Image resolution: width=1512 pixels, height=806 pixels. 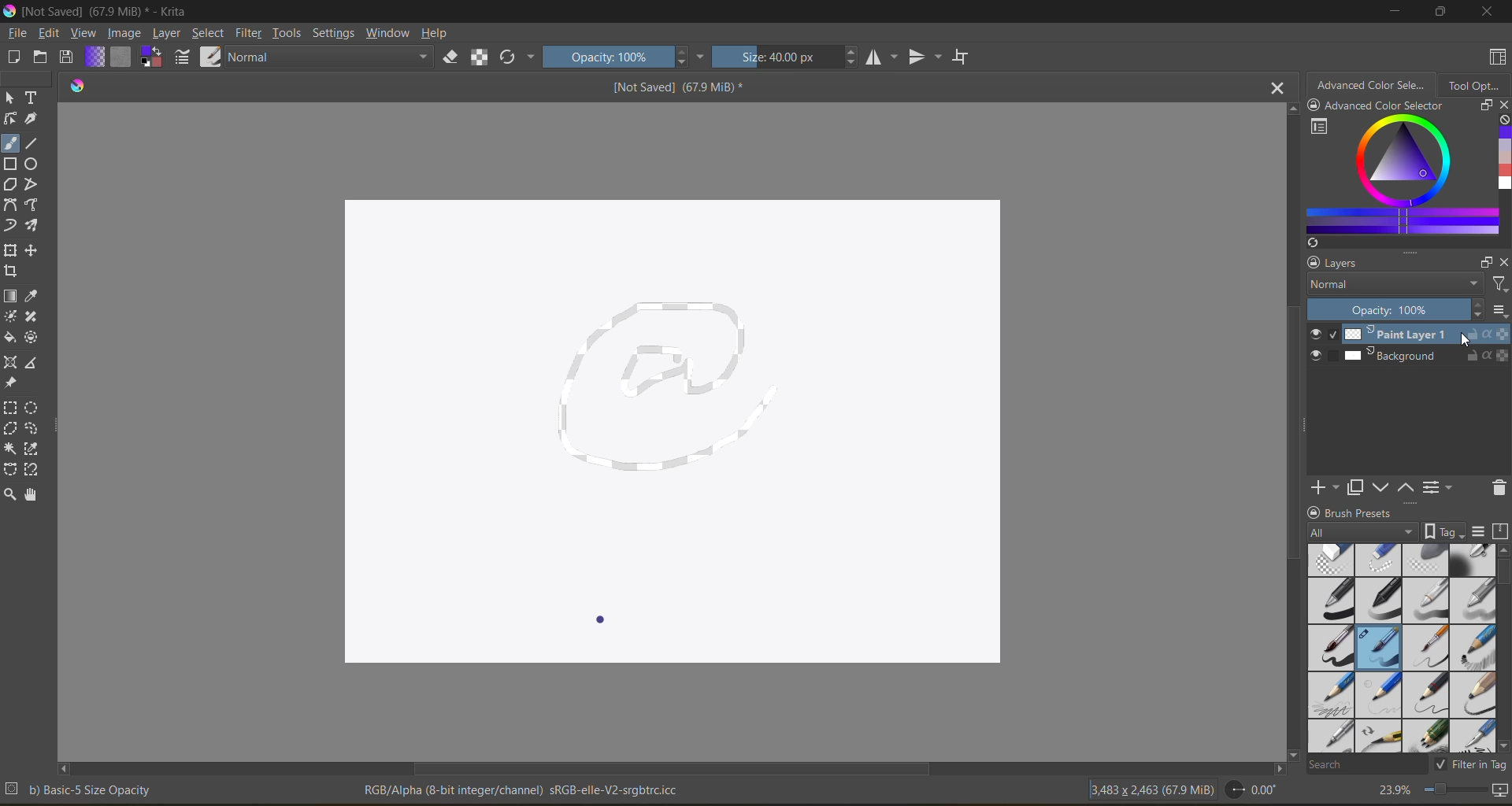 I want to click on file, so click(x=17, y=33).